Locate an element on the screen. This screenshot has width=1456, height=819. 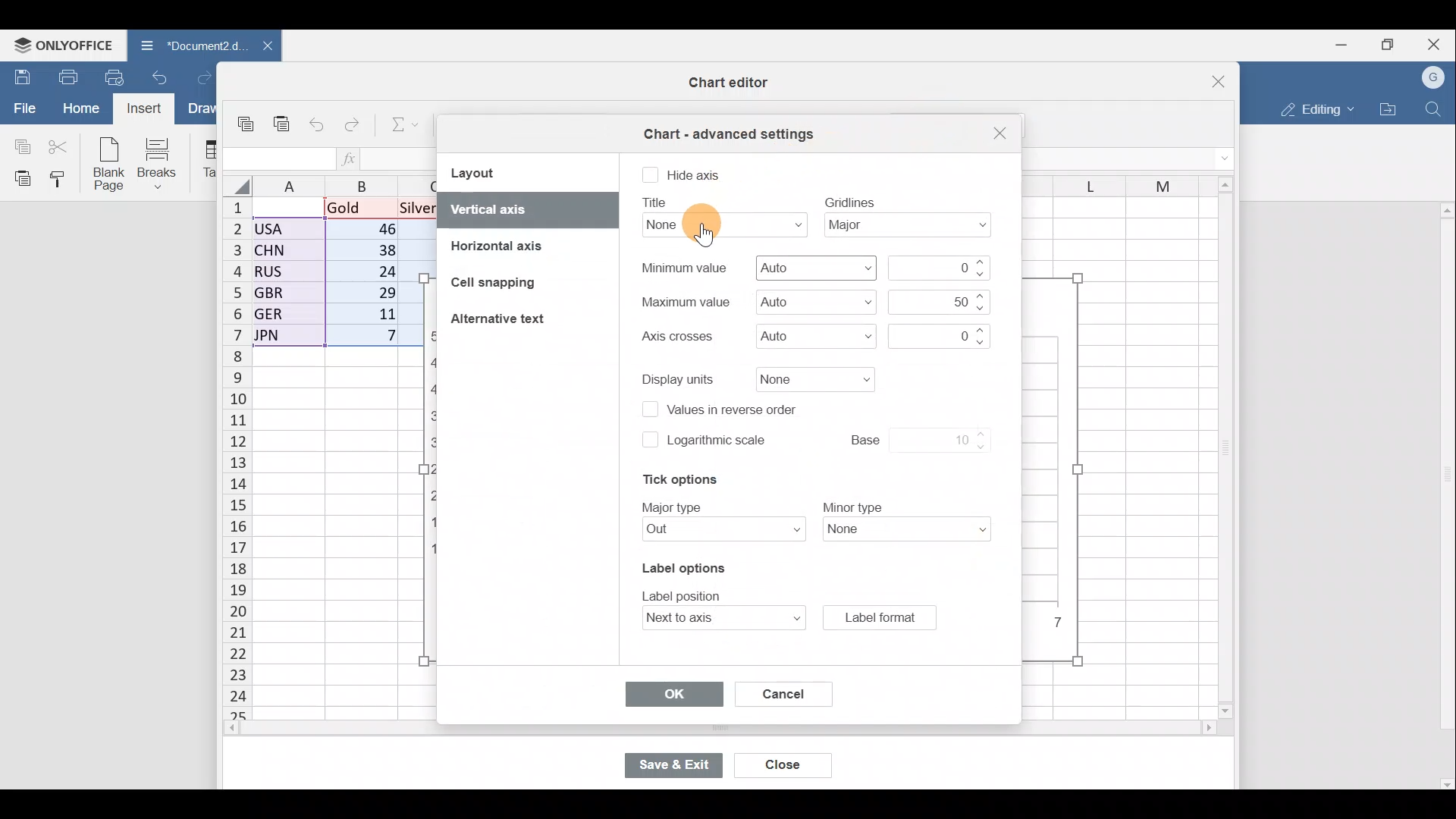
Close is located at coordinates (779, 767).